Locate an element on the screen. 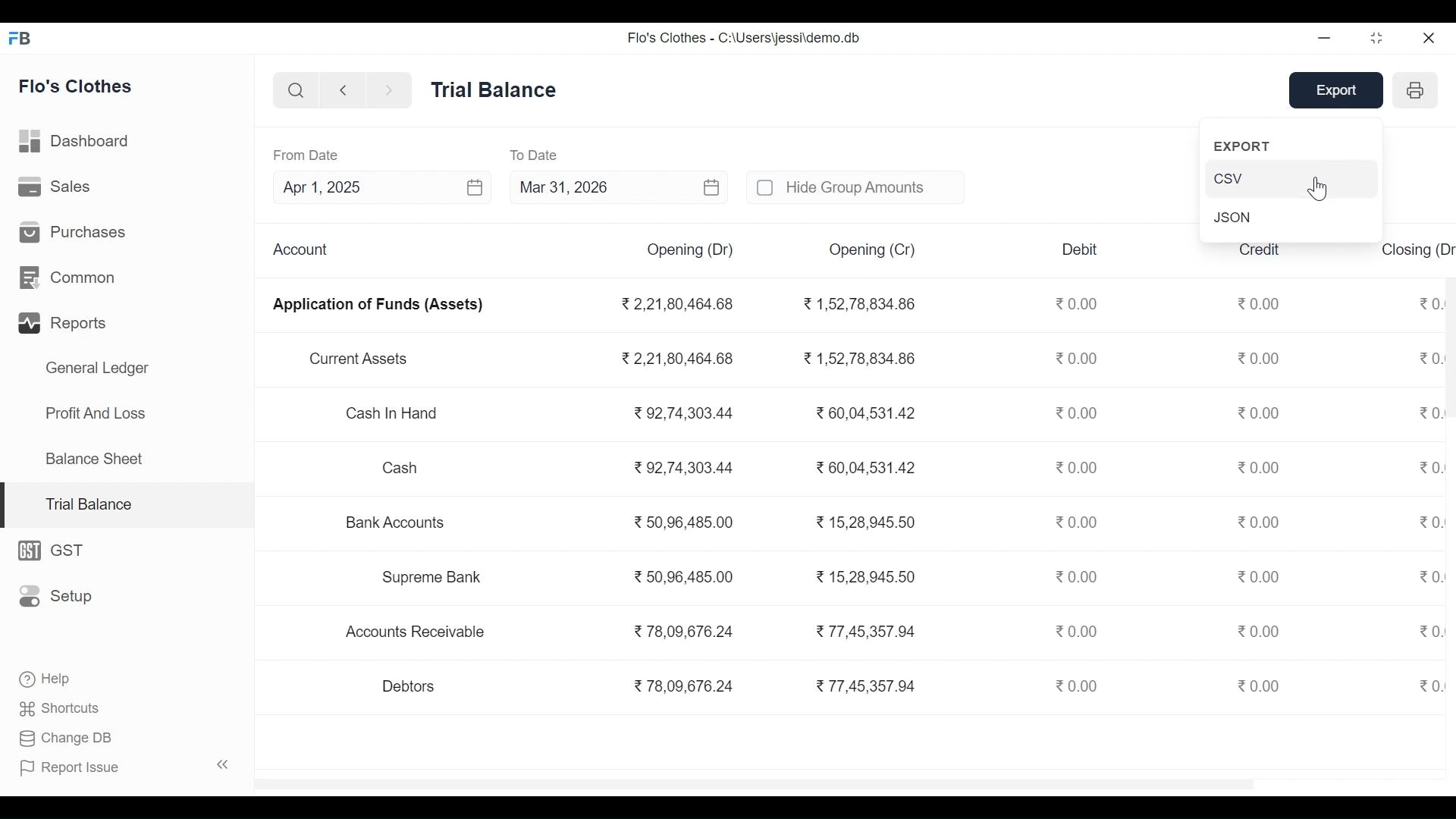 This screenshot has width=1456, height=819. Account is located at coordinates (305, 249).